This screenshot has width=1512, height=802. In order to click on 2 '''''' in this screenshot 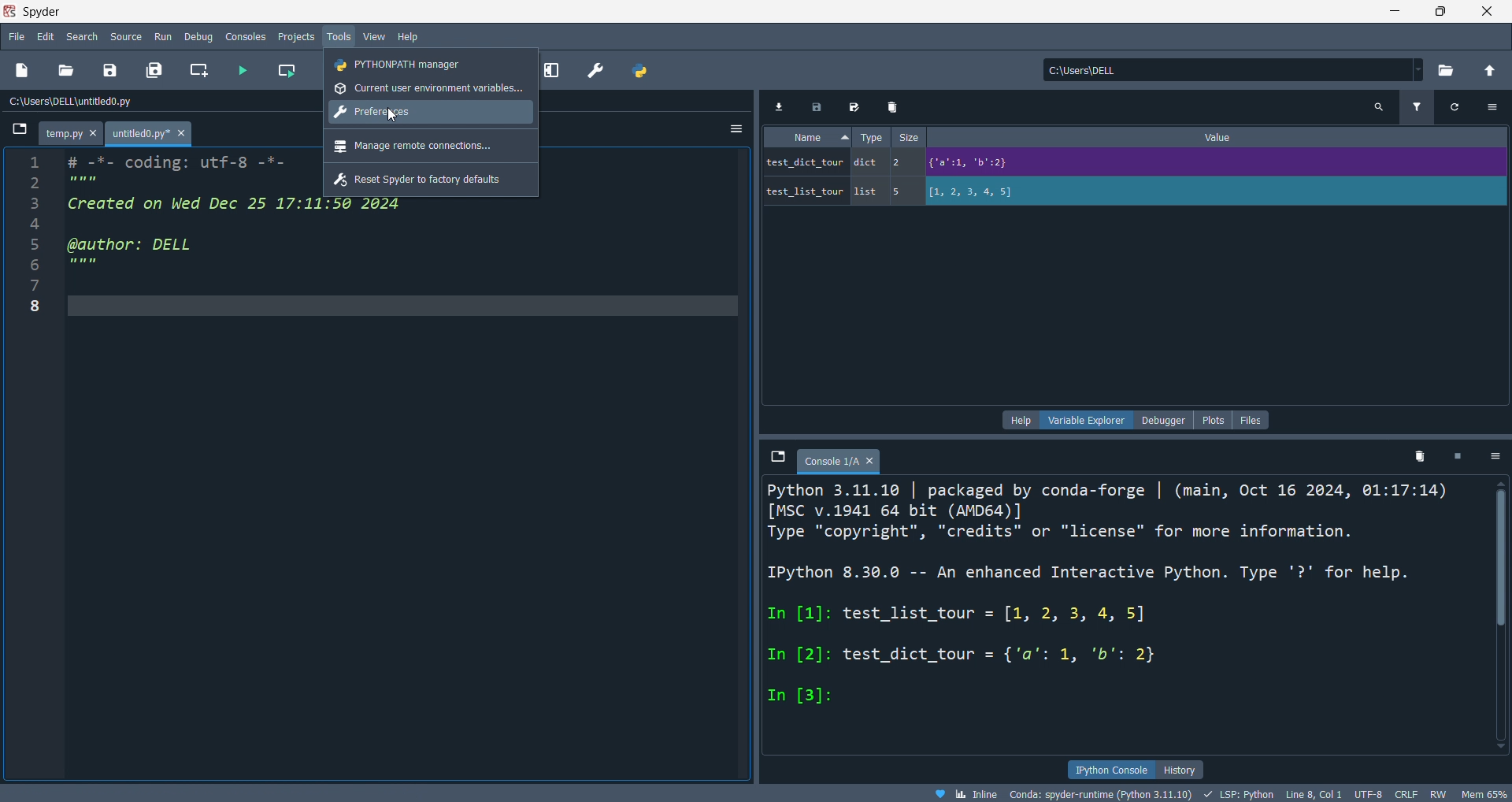, I will do `click(67, 183)`.